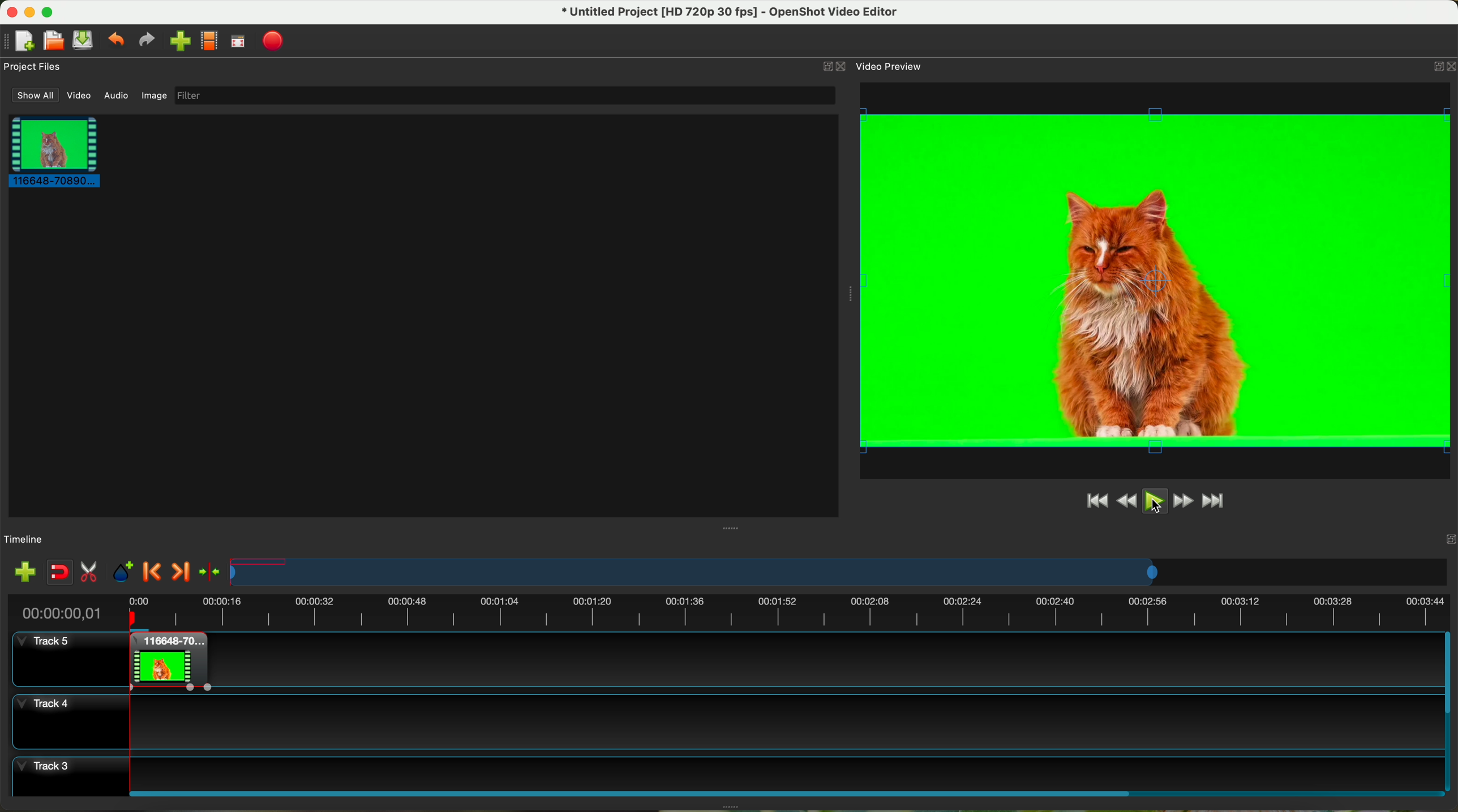 Image resolution: width=1458 pixels, height=812 pixels. Describe the element at coordinates (19, 41) in the screenshot. I see `new project` at that location.